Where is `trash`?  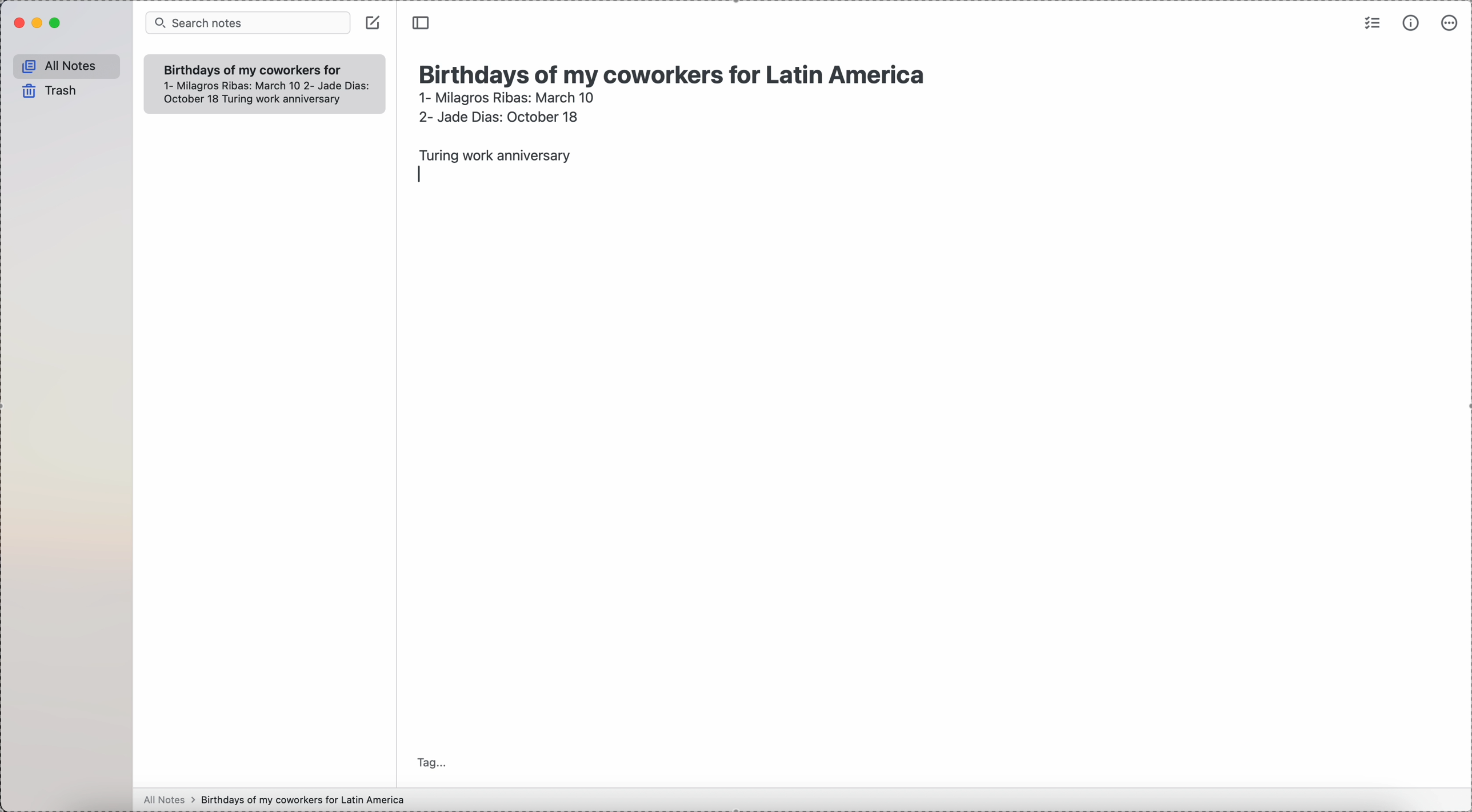
trash is located at coordinates (51, 91).